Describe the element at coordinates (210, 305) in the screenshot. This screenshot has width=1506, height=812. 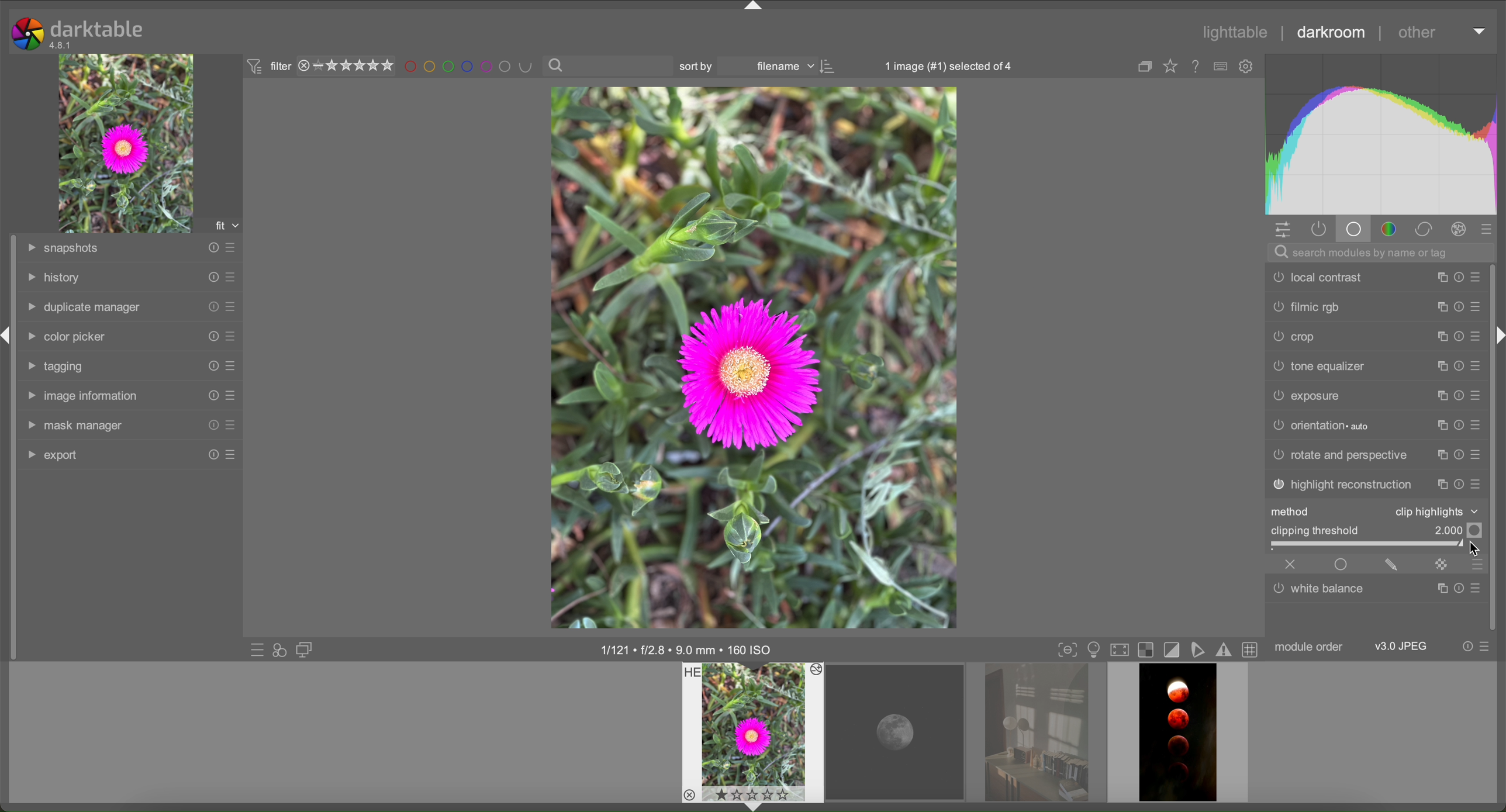
I see `reset presets` at that location.